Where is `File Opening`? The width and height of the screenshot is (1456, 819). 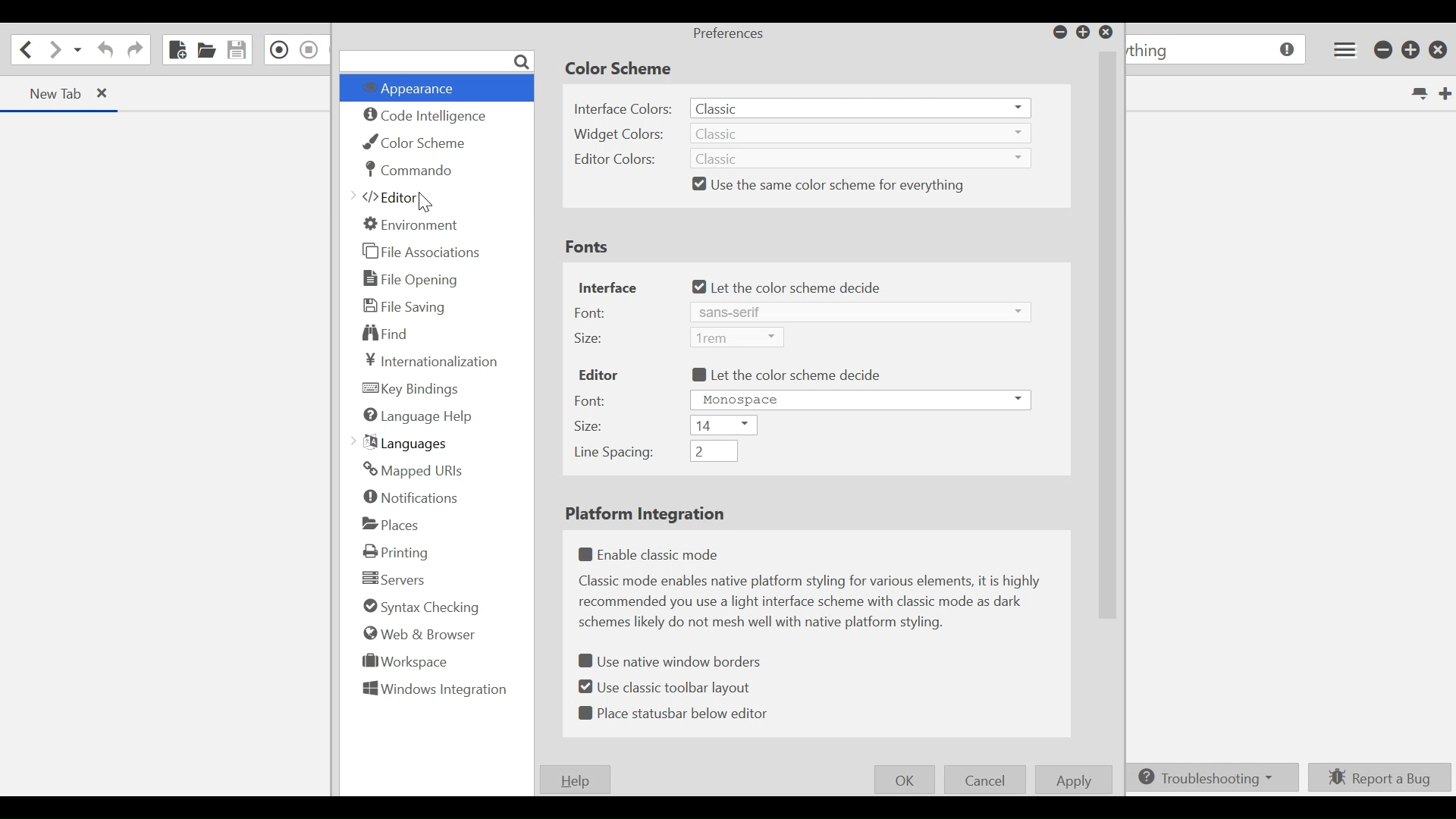
File Opening is located at coordinates (413, 280).